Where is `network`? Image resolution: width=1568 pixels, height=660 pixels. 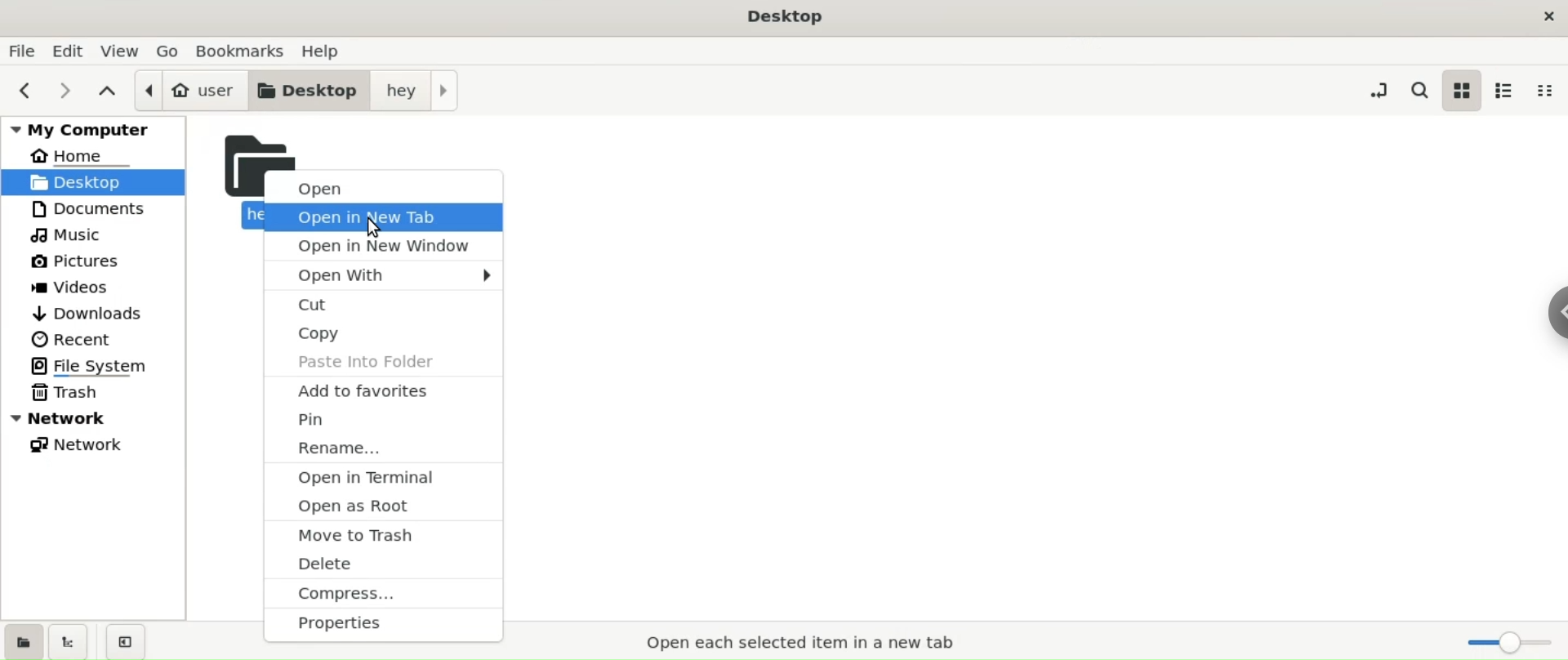
network is located at coordinates (95, 419).